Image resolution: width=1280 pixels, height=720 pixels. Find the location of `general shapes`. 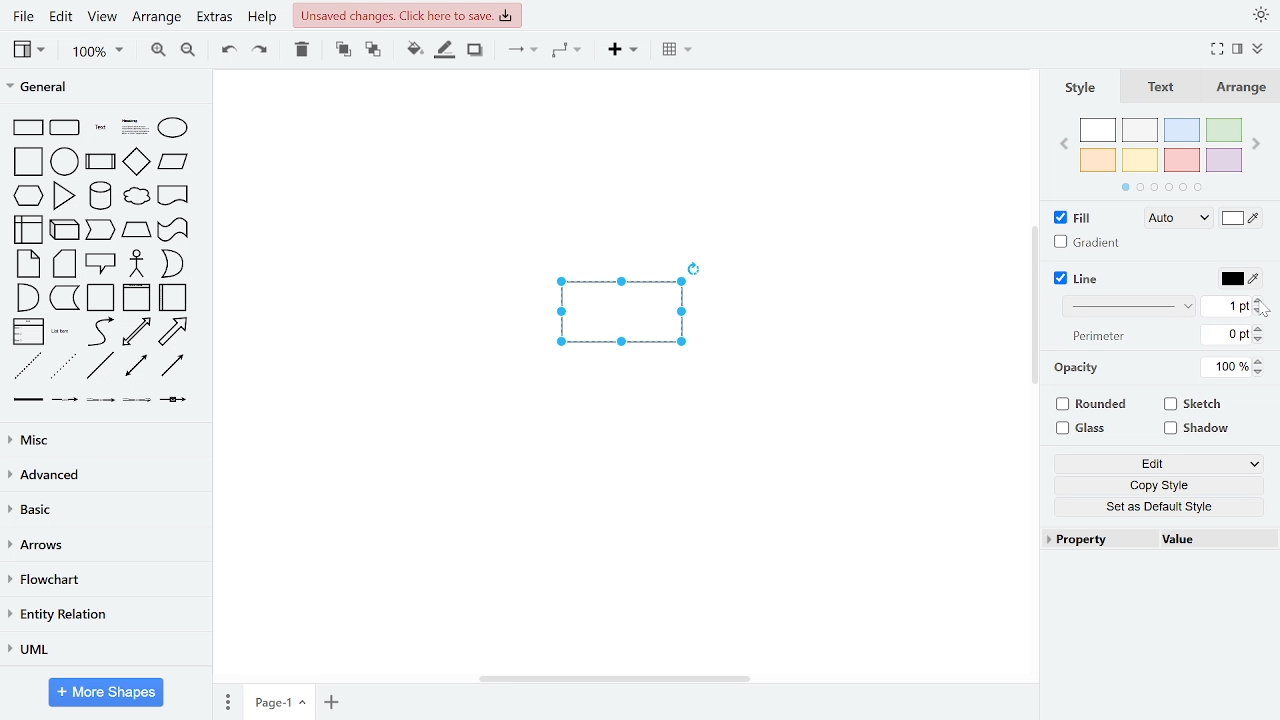

general shapes is located at coordinates (137, 365).